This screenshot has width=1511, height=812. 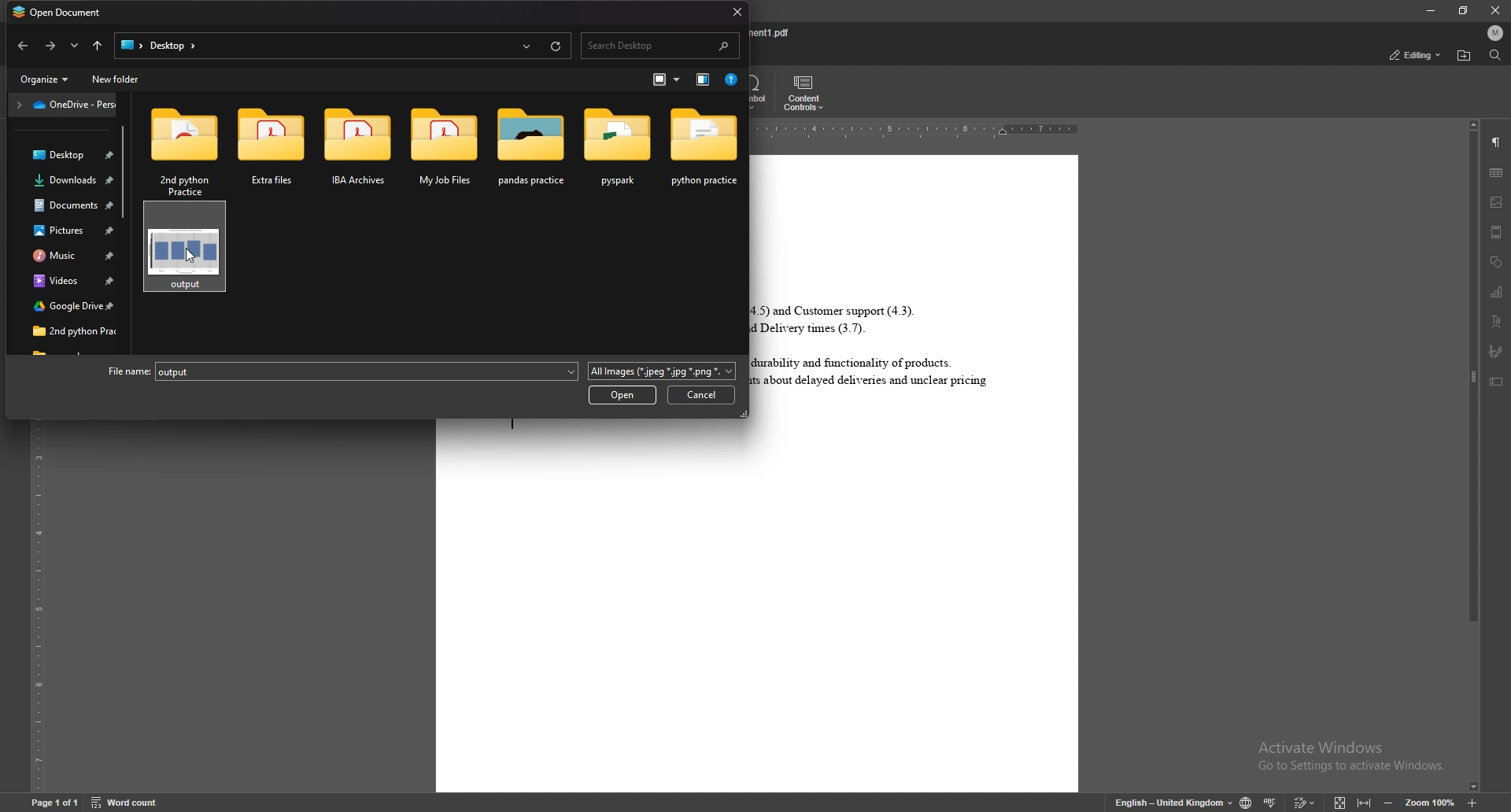 What do you see at coordinates (1338, 800) in the screenshot?
I see `fit to screen` at bounding box center [1338, 800].